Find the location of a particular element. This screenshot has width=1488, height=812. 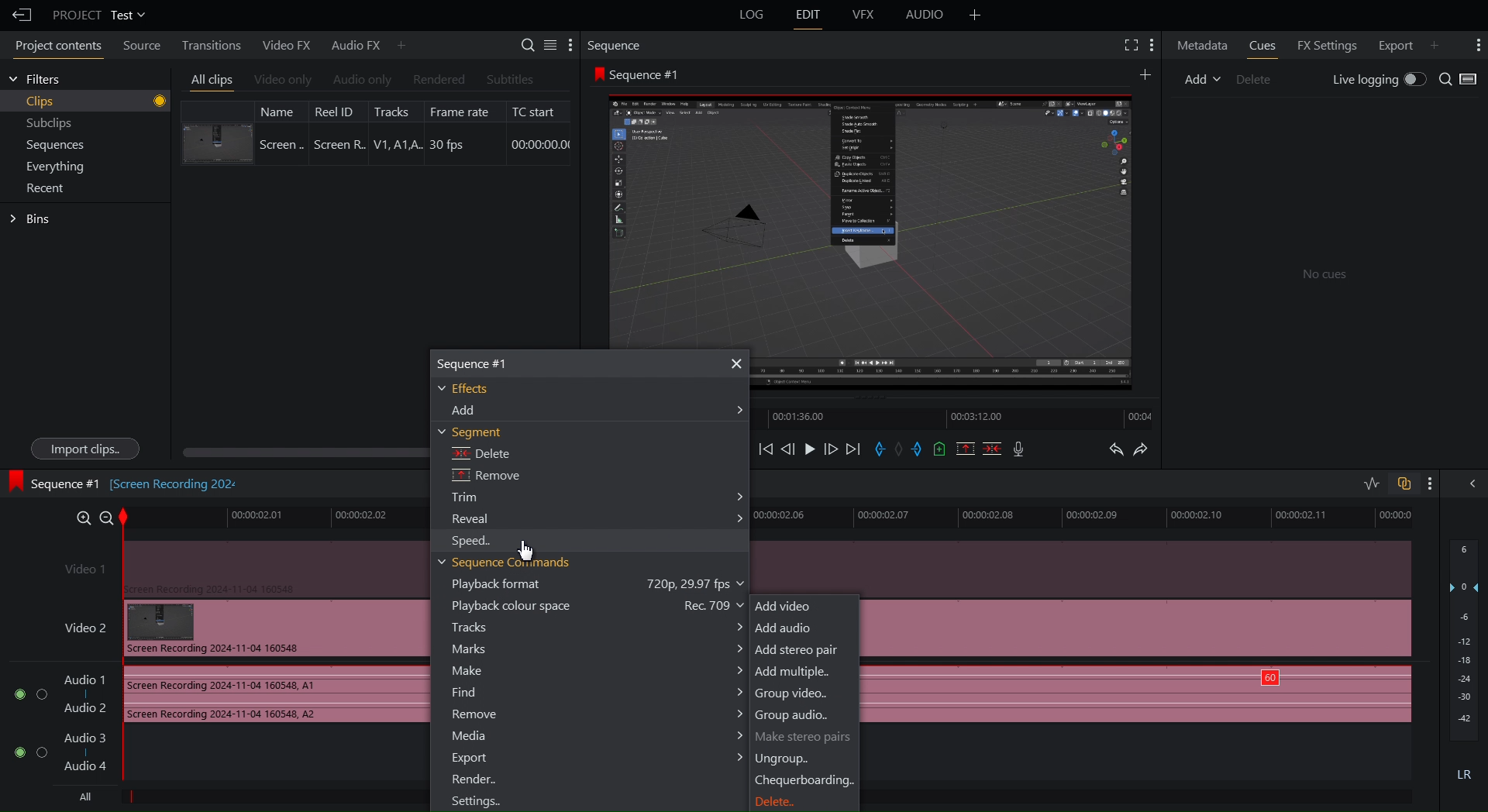

Sequence #1 is located at coordinates (479, 363).